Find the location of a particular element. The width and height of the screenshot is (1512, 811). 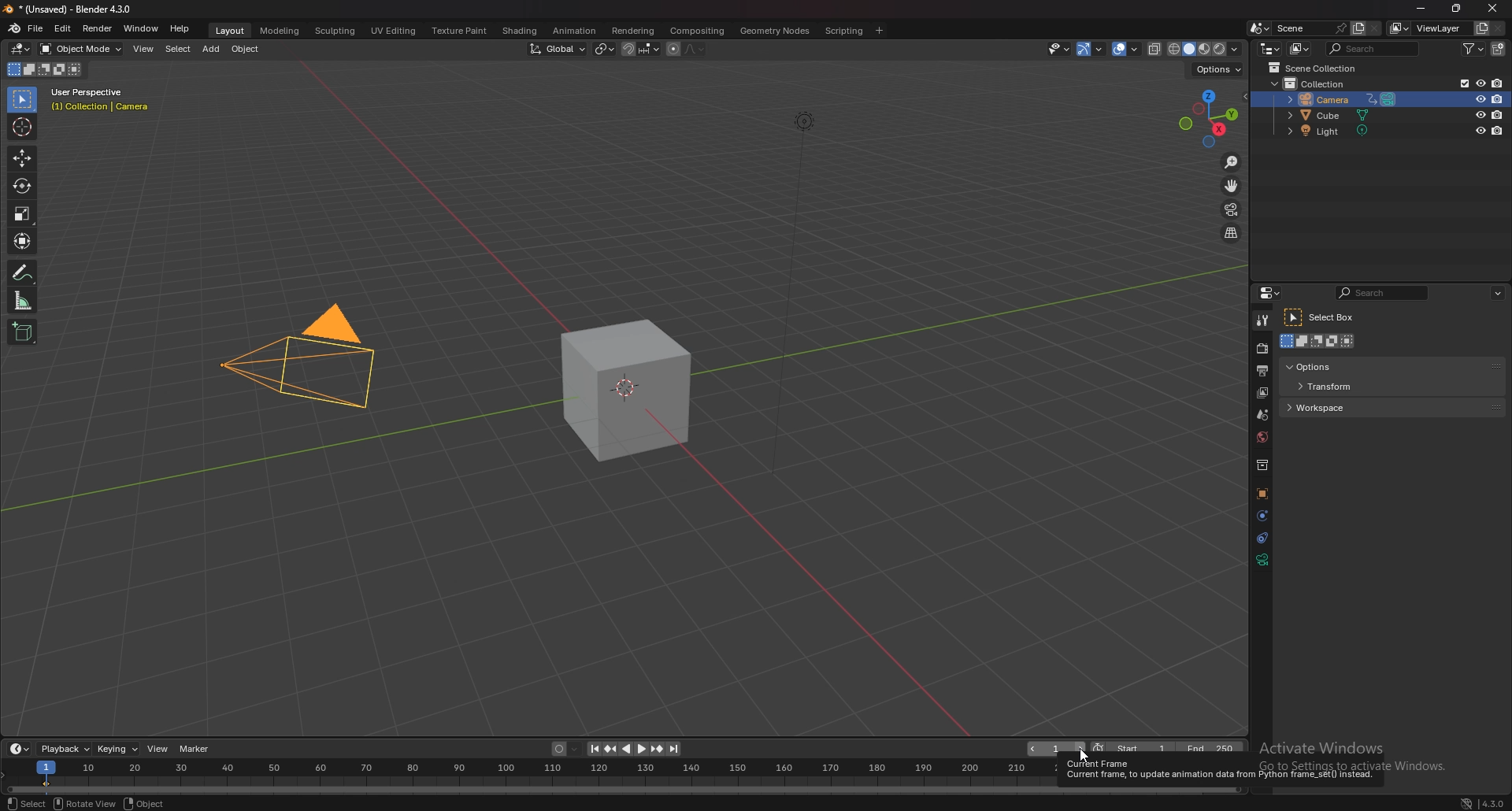

gizmo is located at coordinates (1091, 49).